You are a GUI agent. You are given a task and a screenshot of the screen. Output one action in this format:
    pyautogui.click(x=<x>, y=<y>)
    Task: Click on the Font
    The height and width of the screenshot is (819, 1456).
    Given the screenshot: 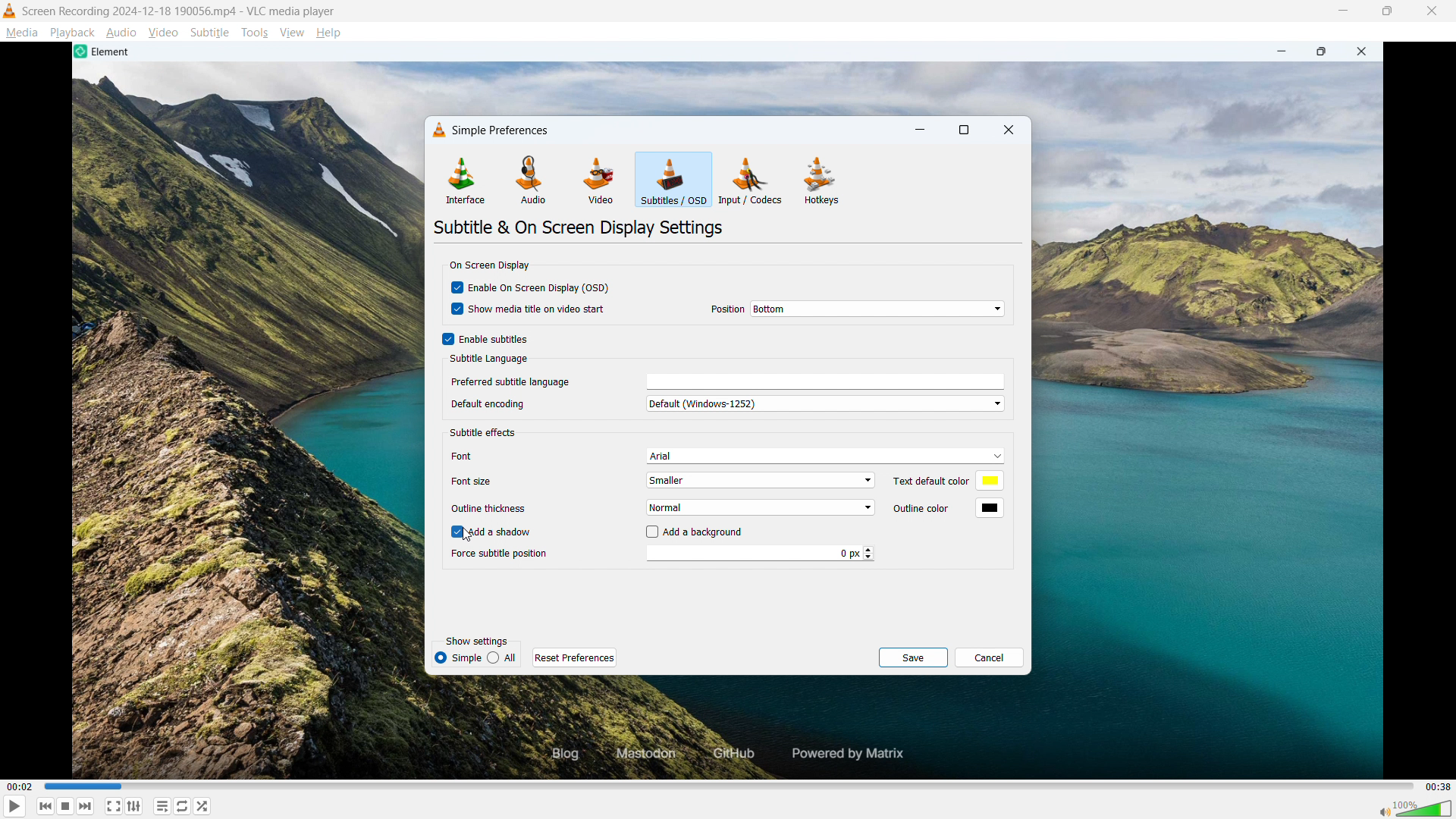 What is the action you would take?
    pyautogui.click(x=488, y=455)
    